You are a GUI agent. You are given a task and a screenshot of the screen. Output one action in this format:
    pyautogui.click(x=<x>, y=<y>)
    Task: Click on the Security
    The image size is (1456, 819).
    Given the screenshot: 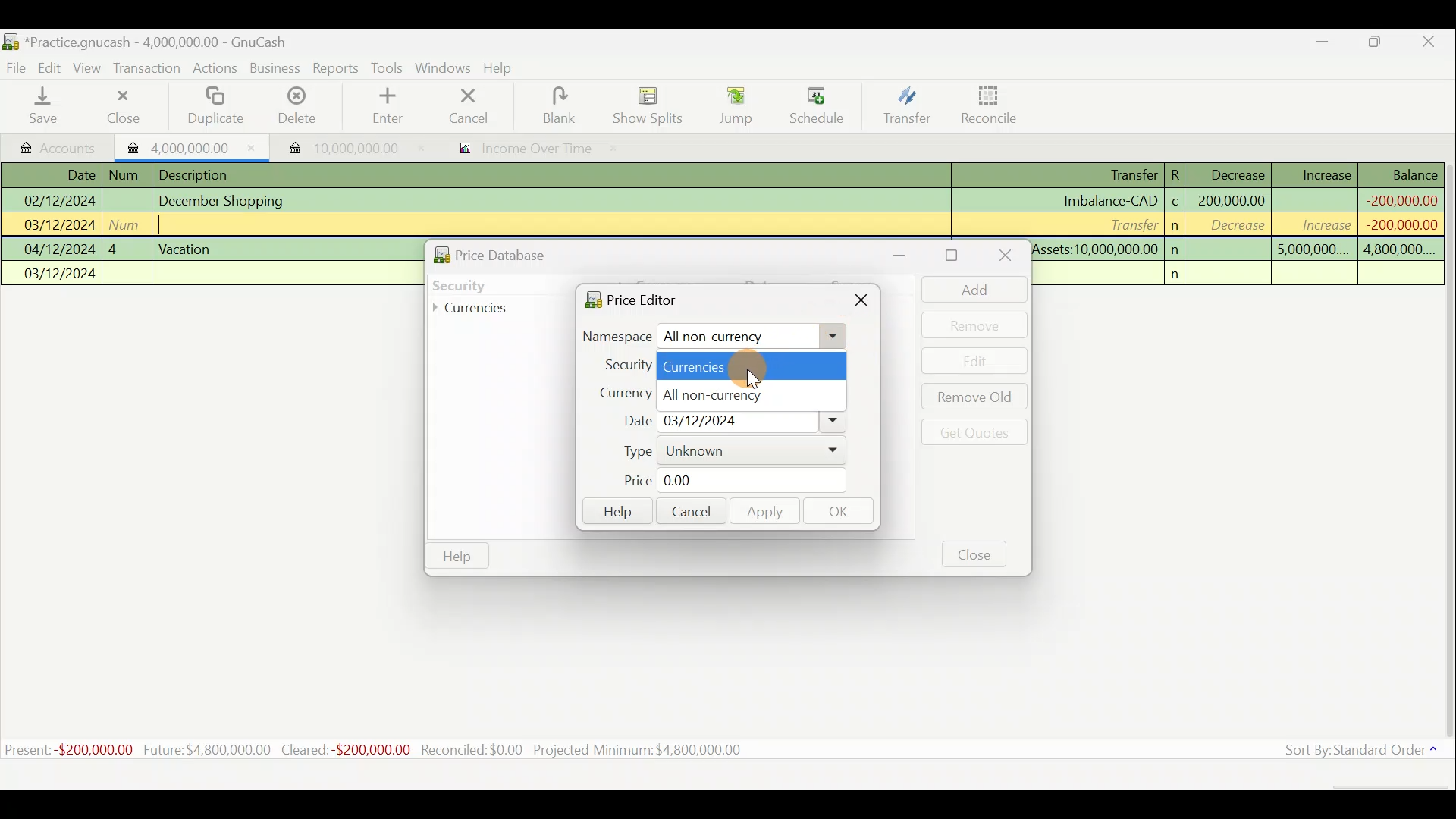 What is the action you would take?
    pyautogui.click(x=620, y=364)
    